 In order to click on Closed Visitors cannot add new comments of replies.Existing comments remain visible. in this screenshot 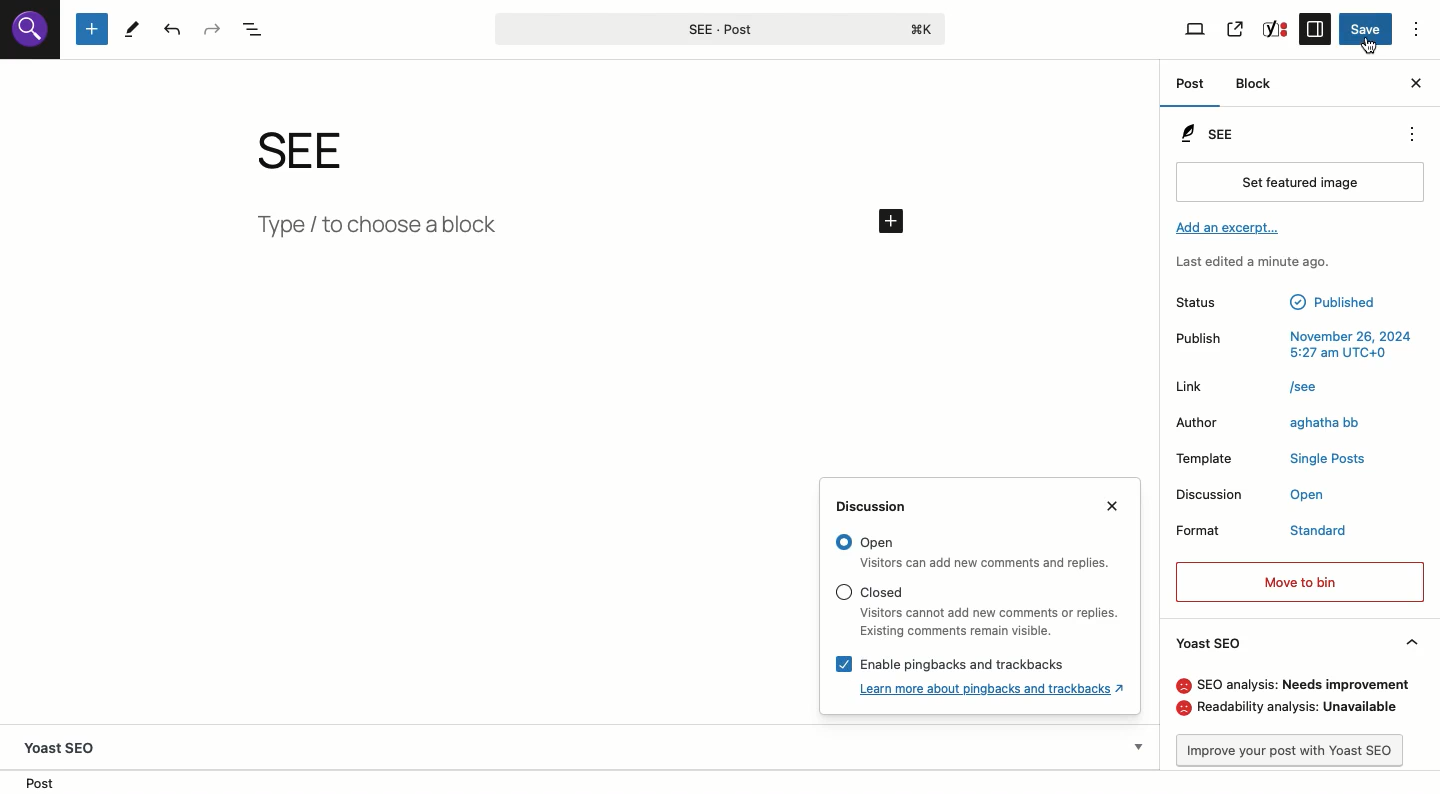, I will do `click(974, 610)`.